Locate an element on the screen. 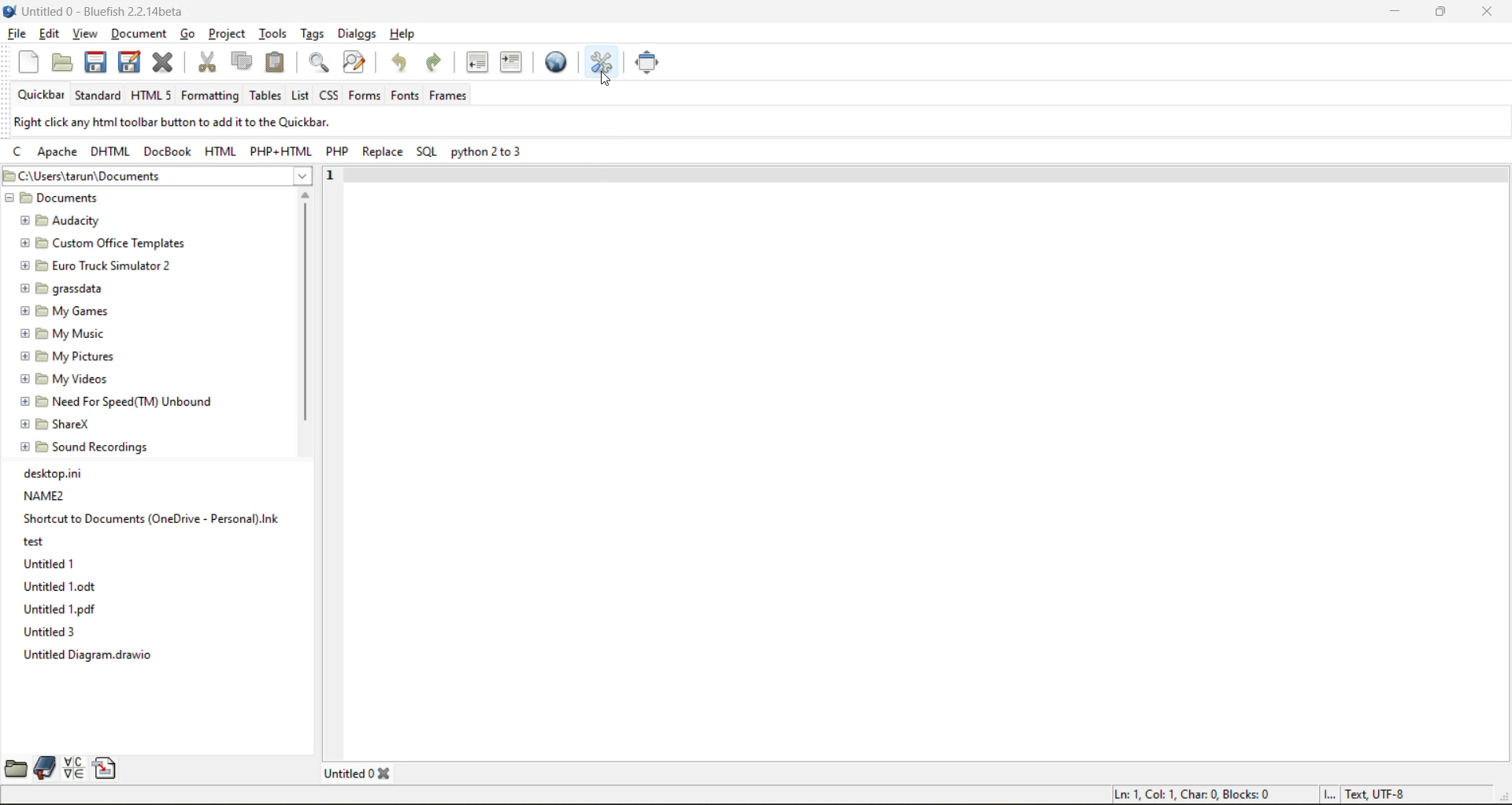  Untitled 1.odt is located at coordinates (57, 587).